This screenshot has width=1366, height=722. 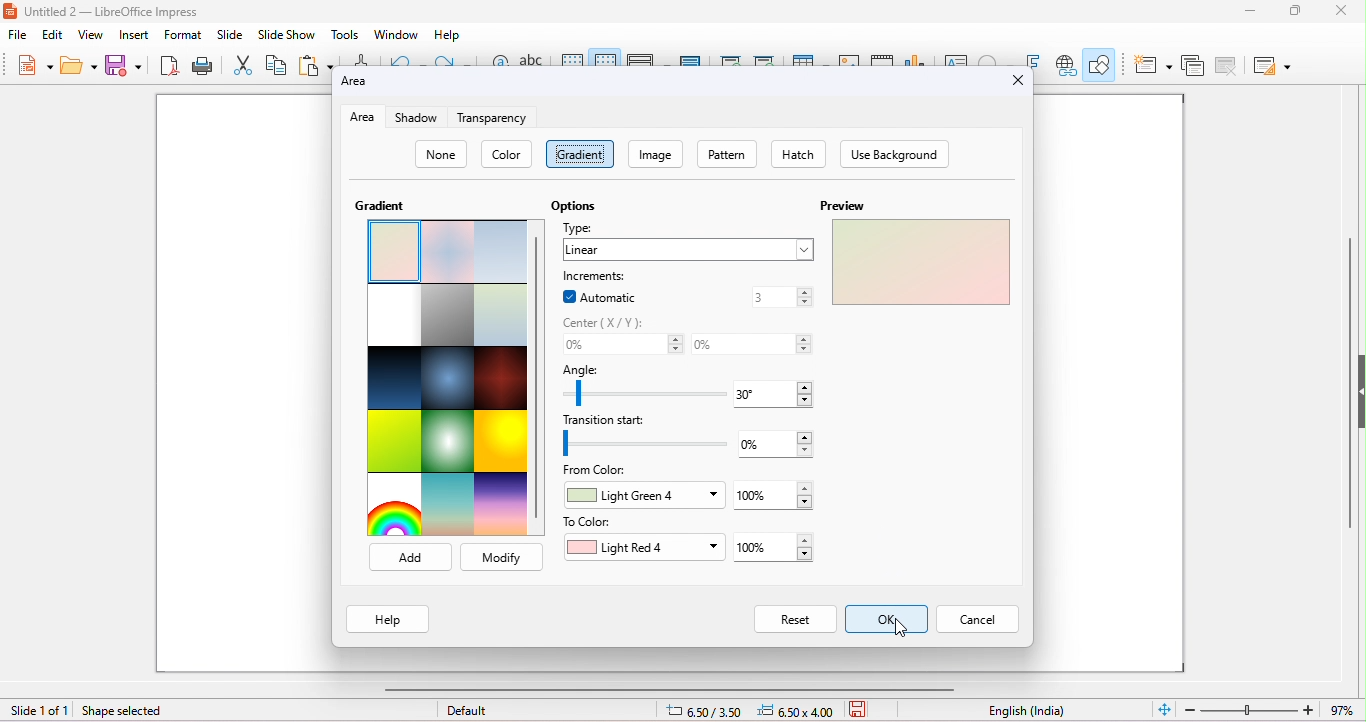 I want to click on cancel, so click(x=979, y=619).